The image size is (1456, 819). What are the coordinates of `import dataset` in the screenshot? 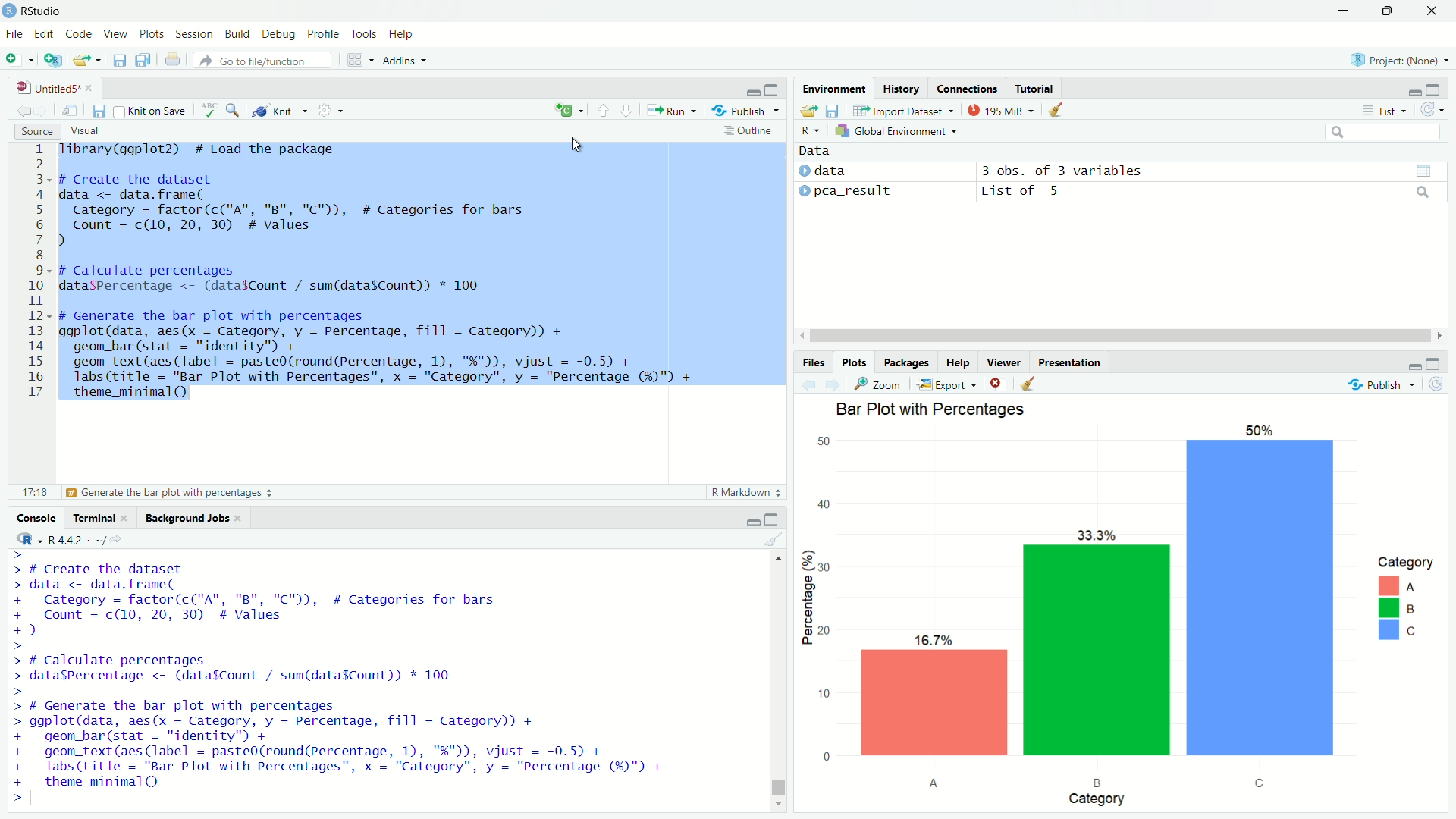 It's located at (906, 111).